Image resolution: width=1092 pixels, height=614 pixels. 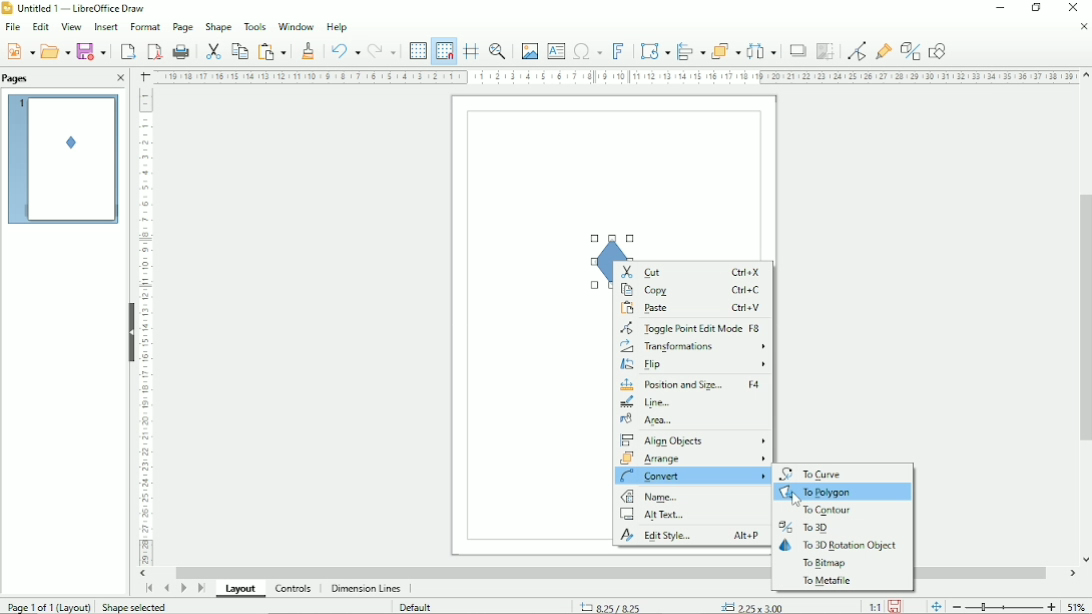 What do you see at coordinates (366, 589) in the screenshot?
I see `Dimension lines` at bounding box center [366, 589].